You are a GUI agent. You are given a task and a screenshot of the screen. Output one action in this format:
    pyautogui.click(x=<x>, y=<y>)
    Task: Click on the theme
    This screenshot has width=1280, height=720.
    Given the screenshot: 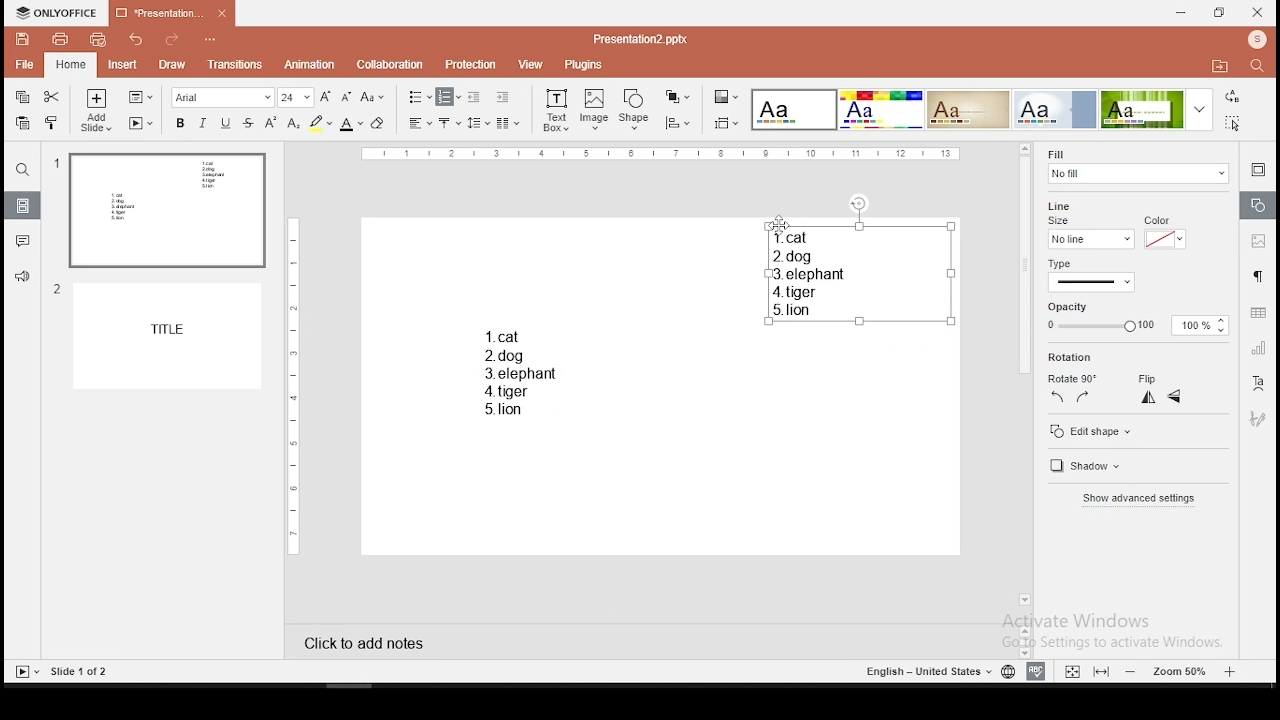 What is the action you would take?
    pyautogui.click(x=967, y=110)
    